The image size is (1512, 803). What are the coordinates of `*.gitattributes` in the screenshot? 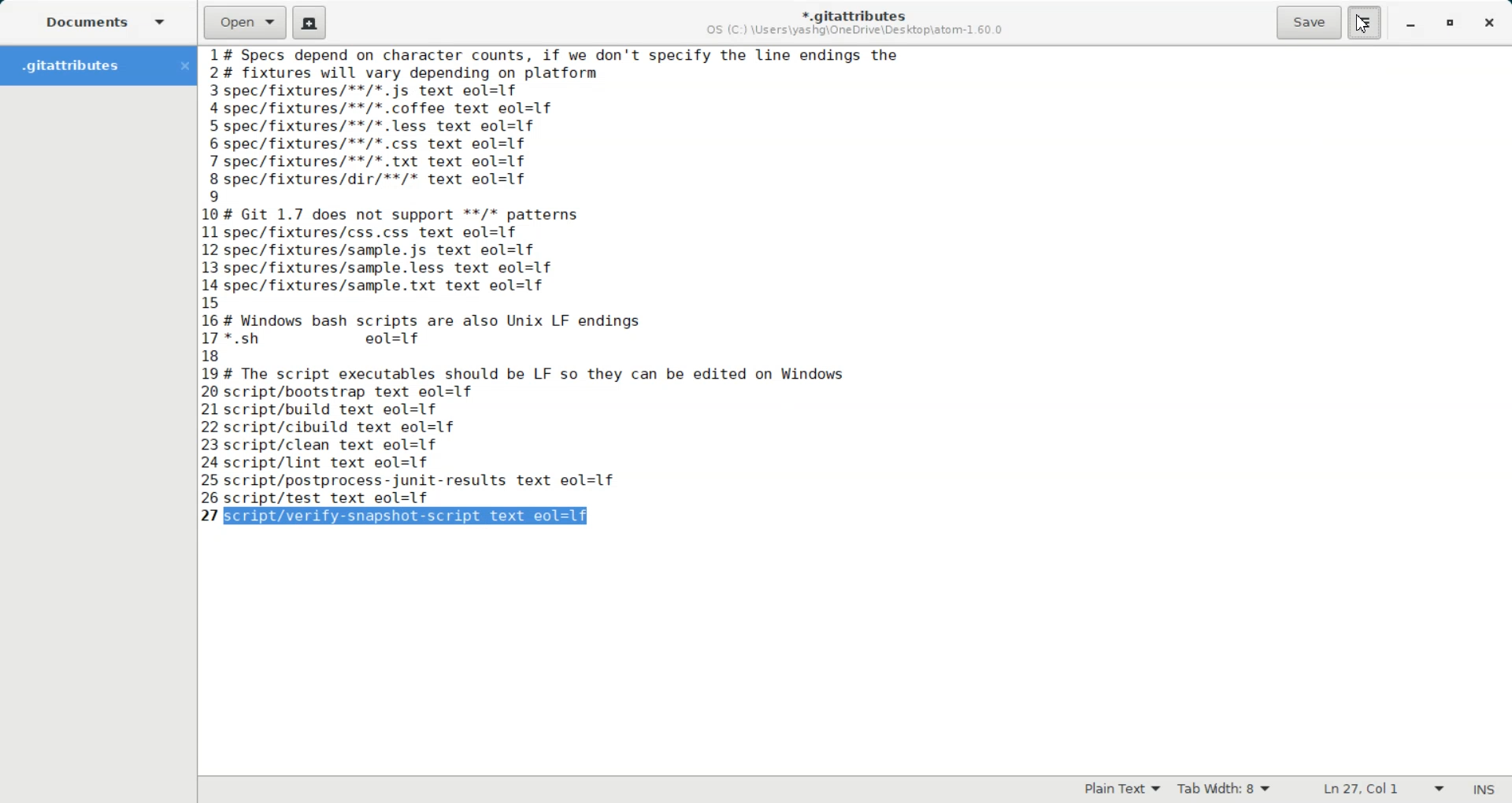 It's located at (850, 12).